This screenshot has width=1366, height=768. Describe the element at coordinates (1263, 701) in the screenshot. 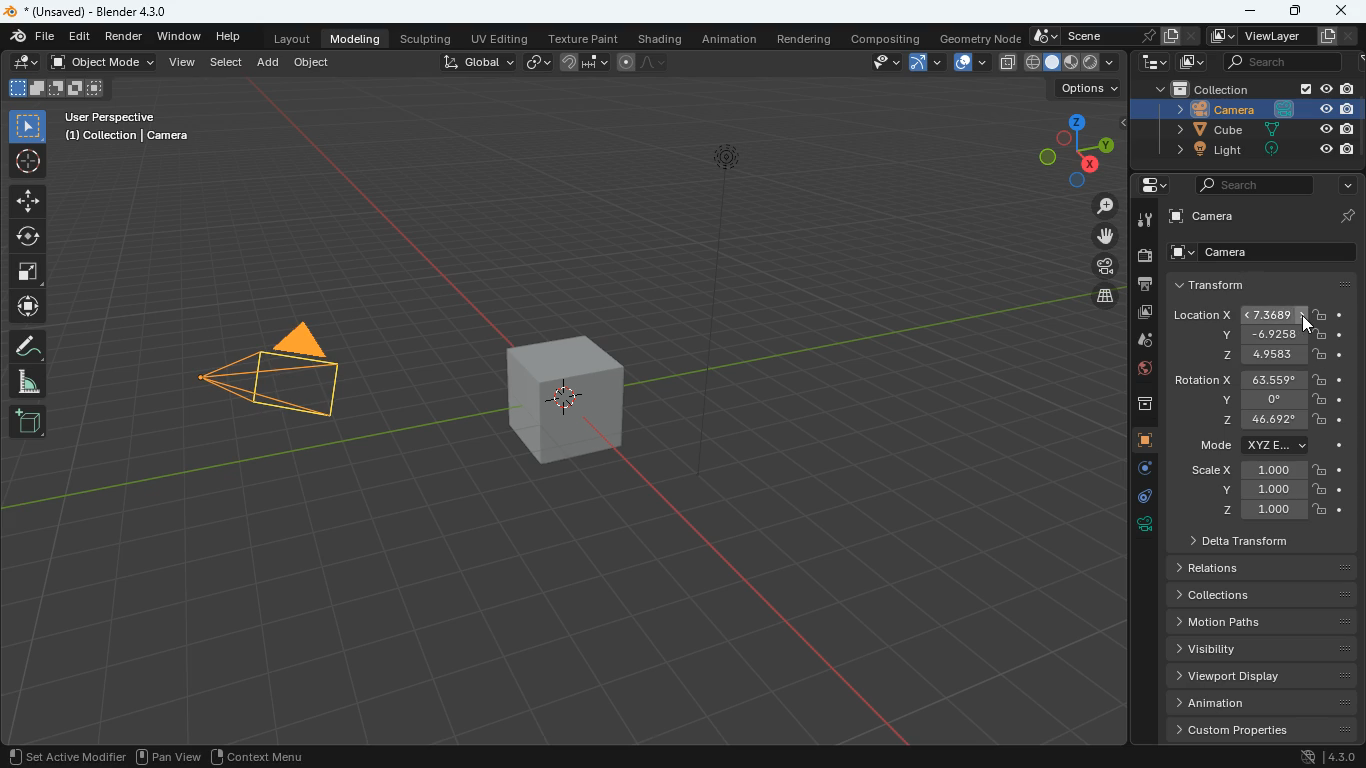

I see `animation` at that location.